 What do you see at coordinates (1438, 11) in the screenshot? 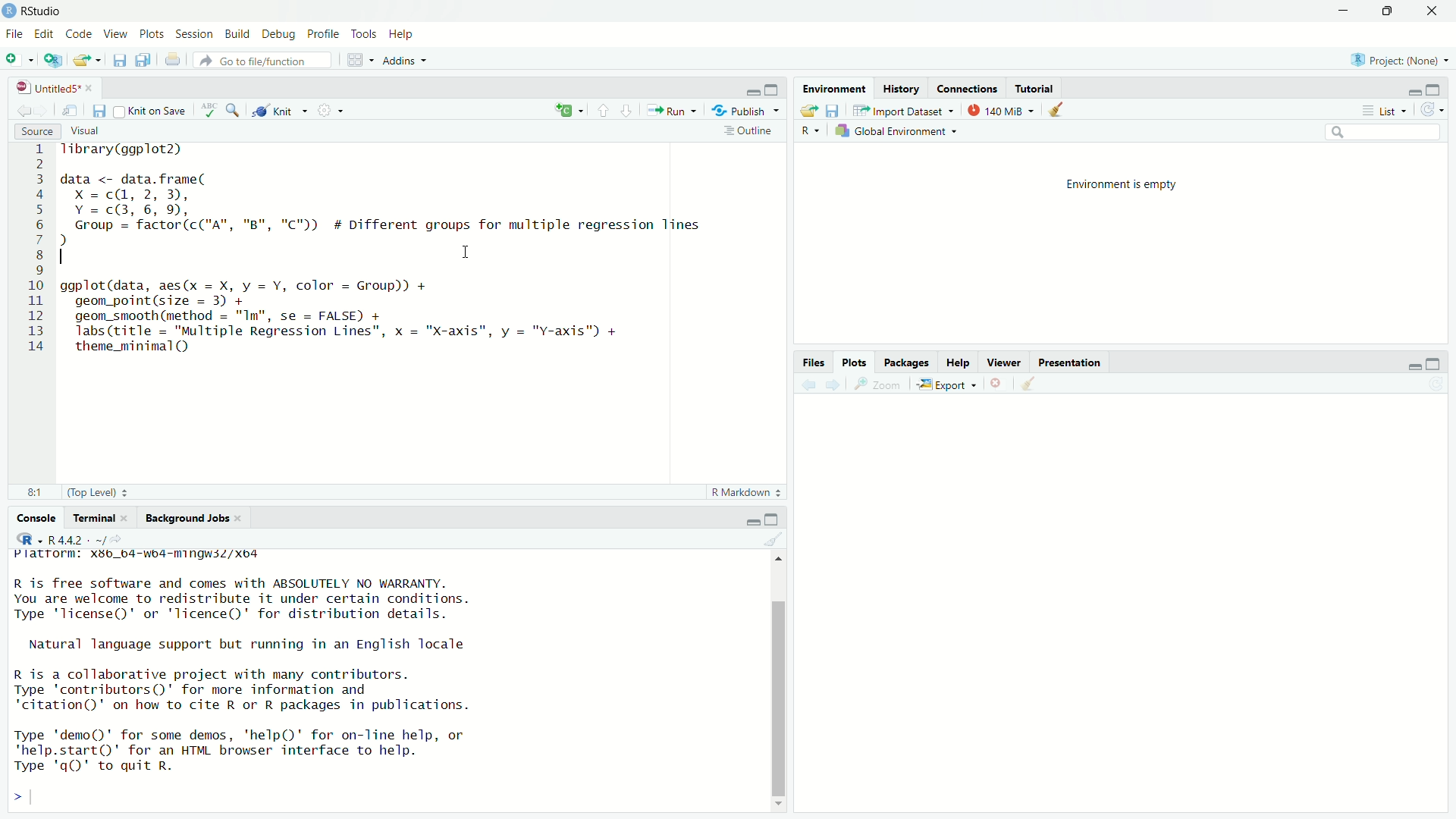
I see `close` at bounding box center [1438, 11].